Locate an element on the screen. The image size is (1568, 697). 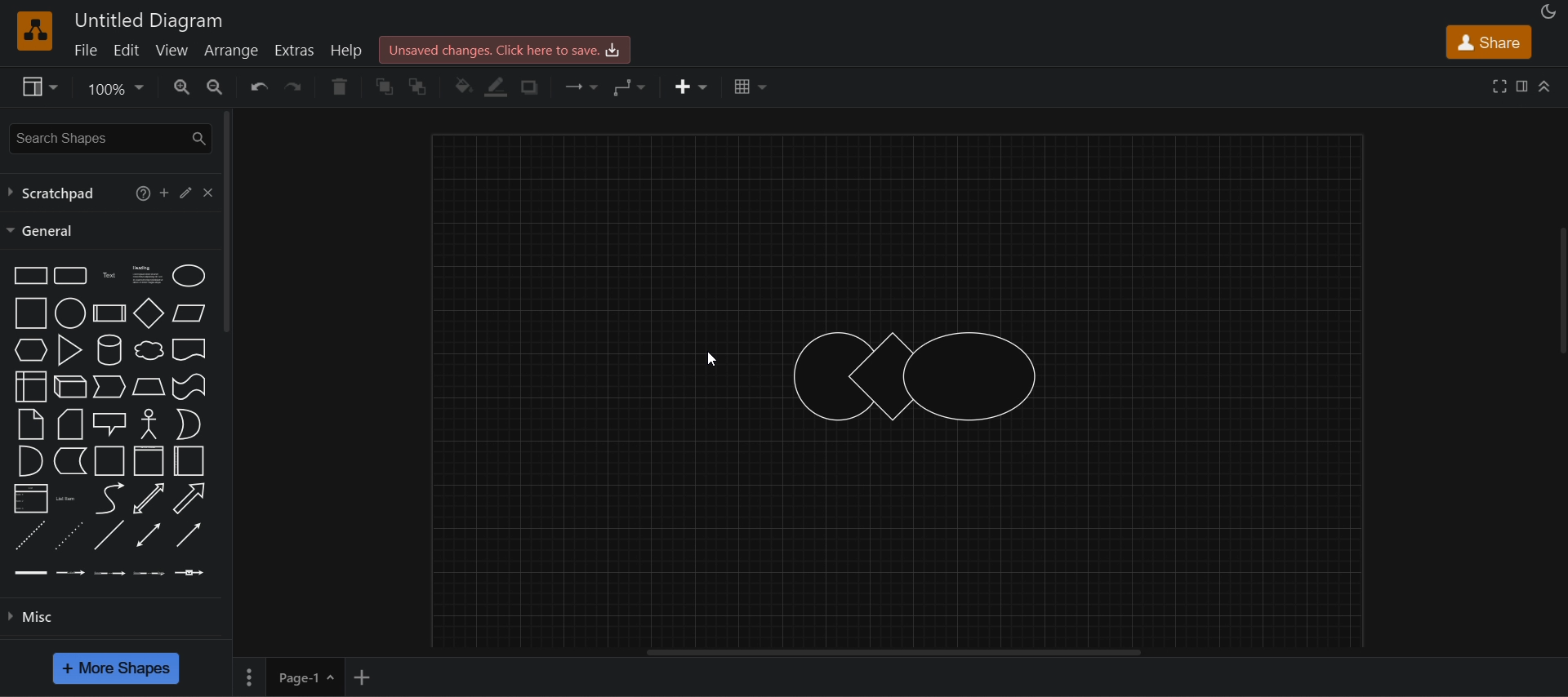
line color is located at coordinates (497, 87).